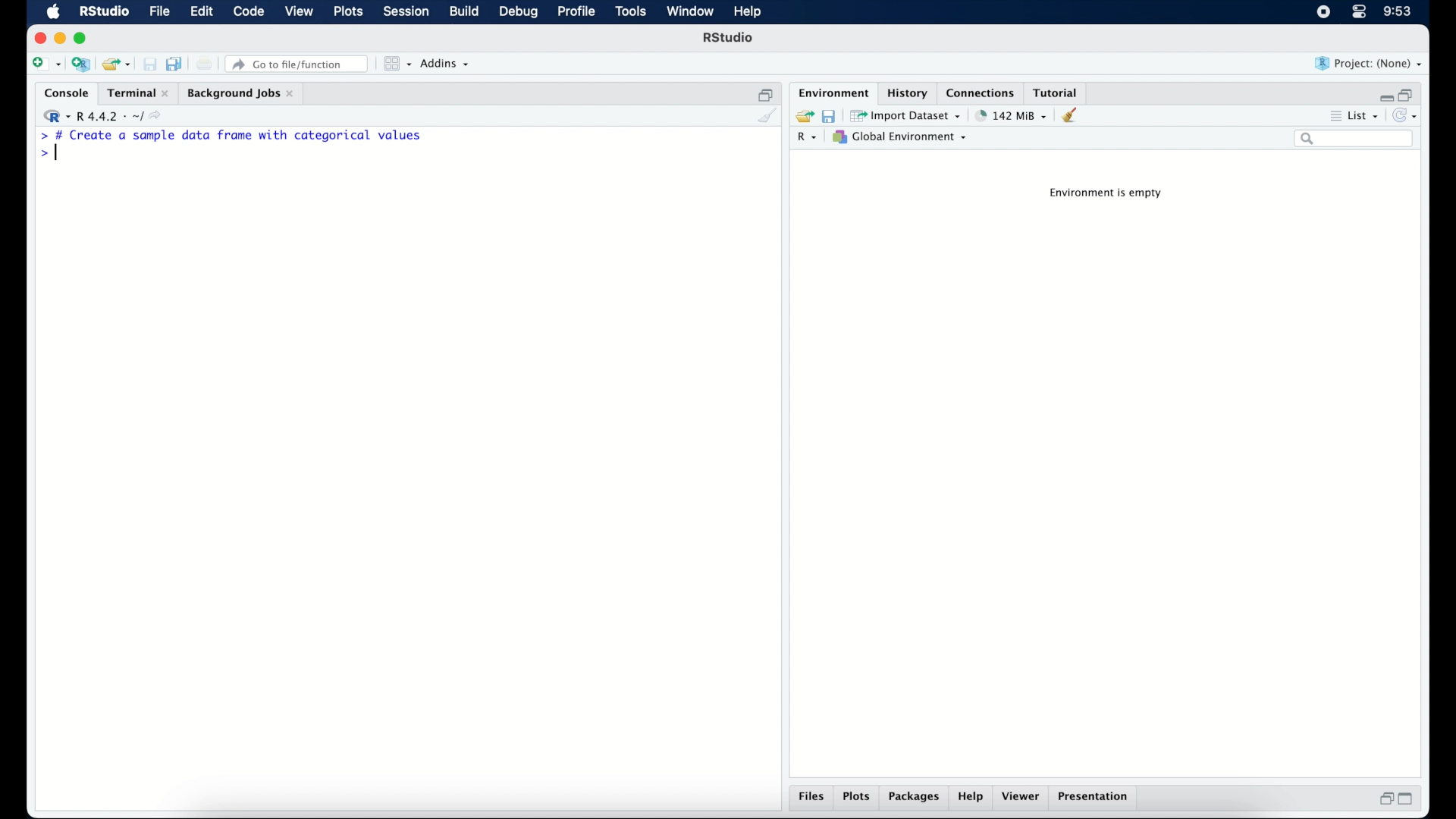  Describe the element at coordinates (907, 115) in the screenshot. I see `import dataset` at that location.